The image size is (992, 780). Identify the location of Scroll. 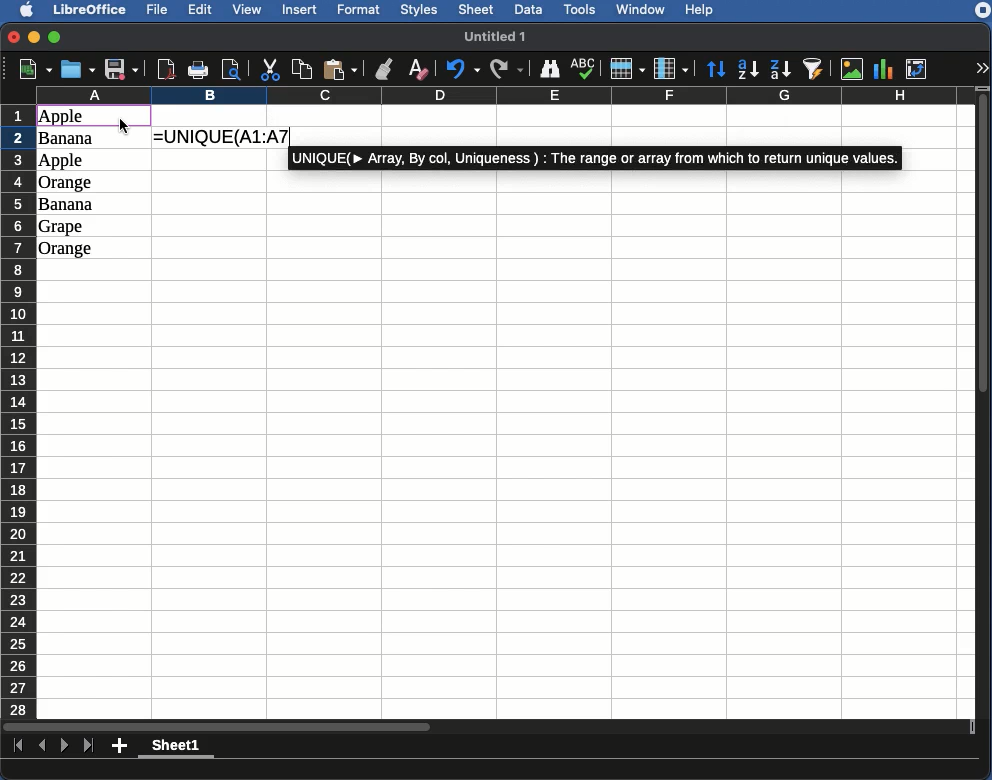
(985, 407).